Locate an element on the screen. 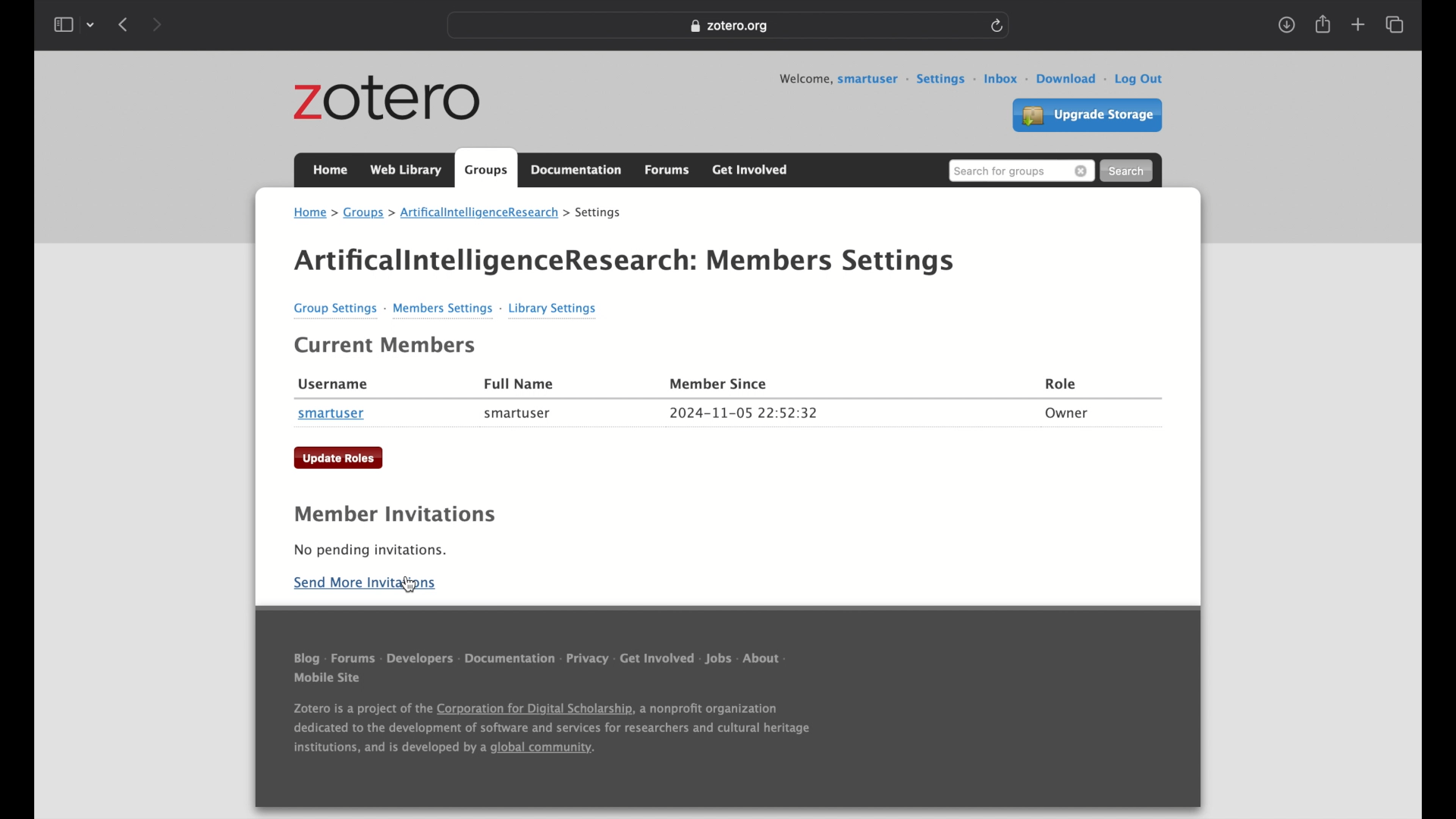 The height and width of the screenshot is (819, 1456). share tab is located at coordinates (1324, 25).